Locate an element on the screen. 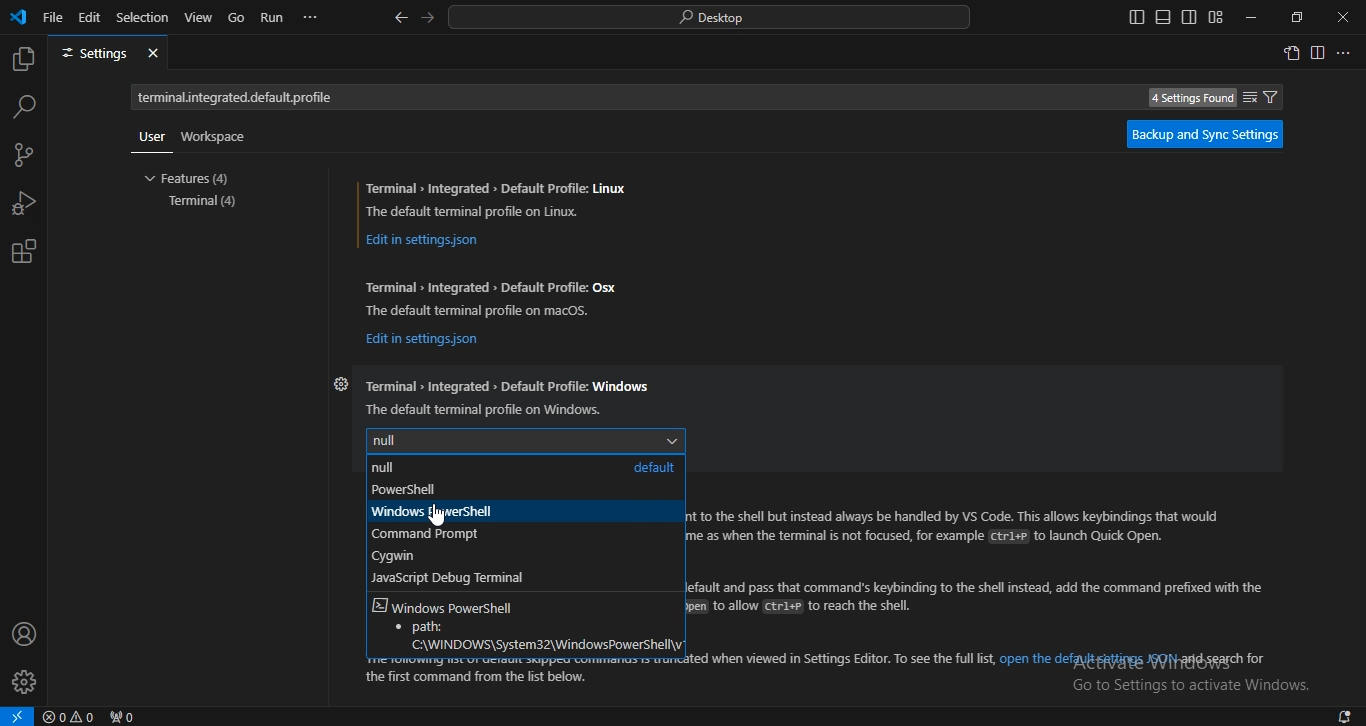 This screenshot has height=726, width=1366. toggle secondary side bar is located at coordinates (1188, 16).